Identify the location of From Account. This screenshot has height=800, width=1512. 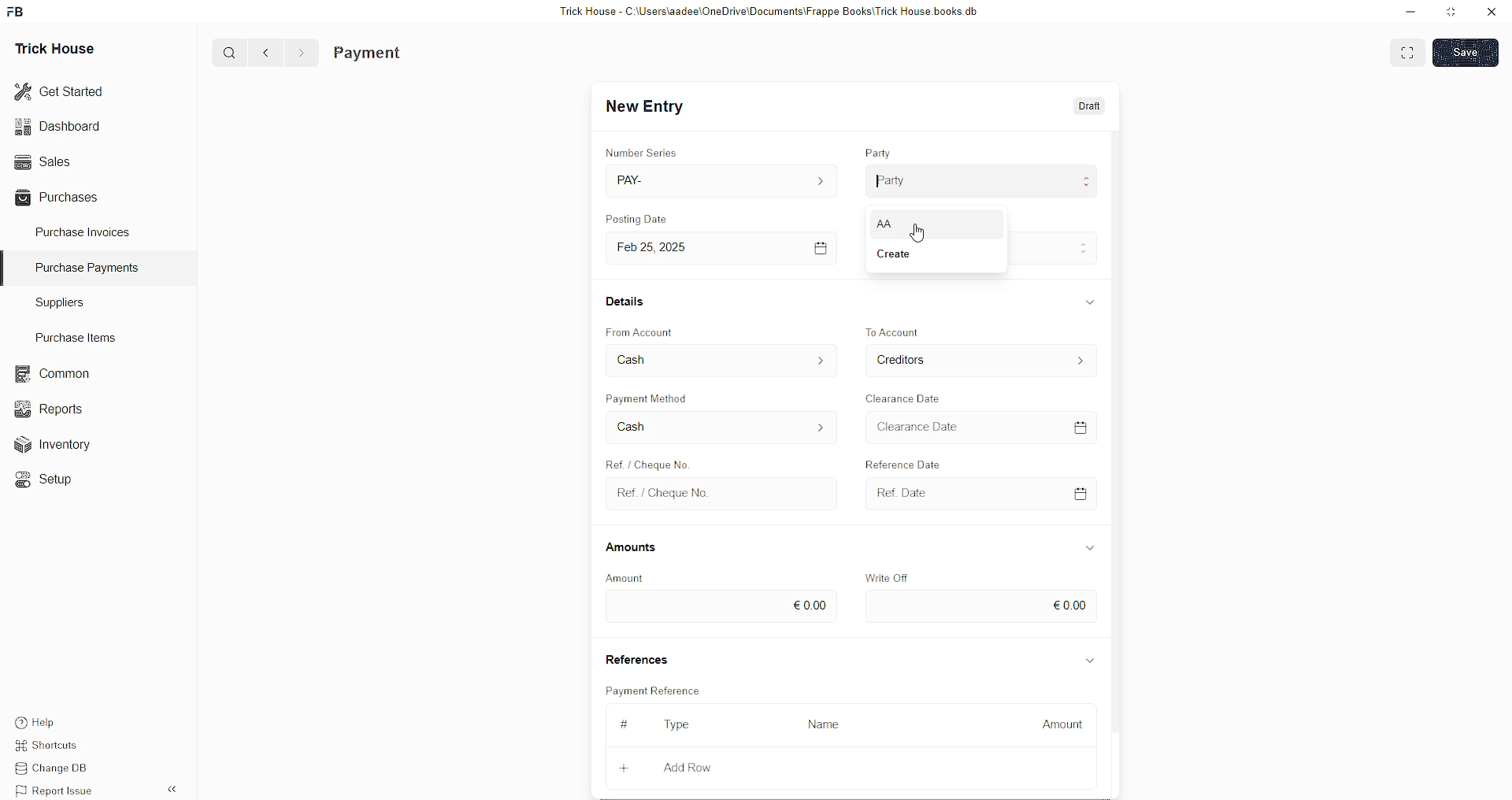
(661, 361).